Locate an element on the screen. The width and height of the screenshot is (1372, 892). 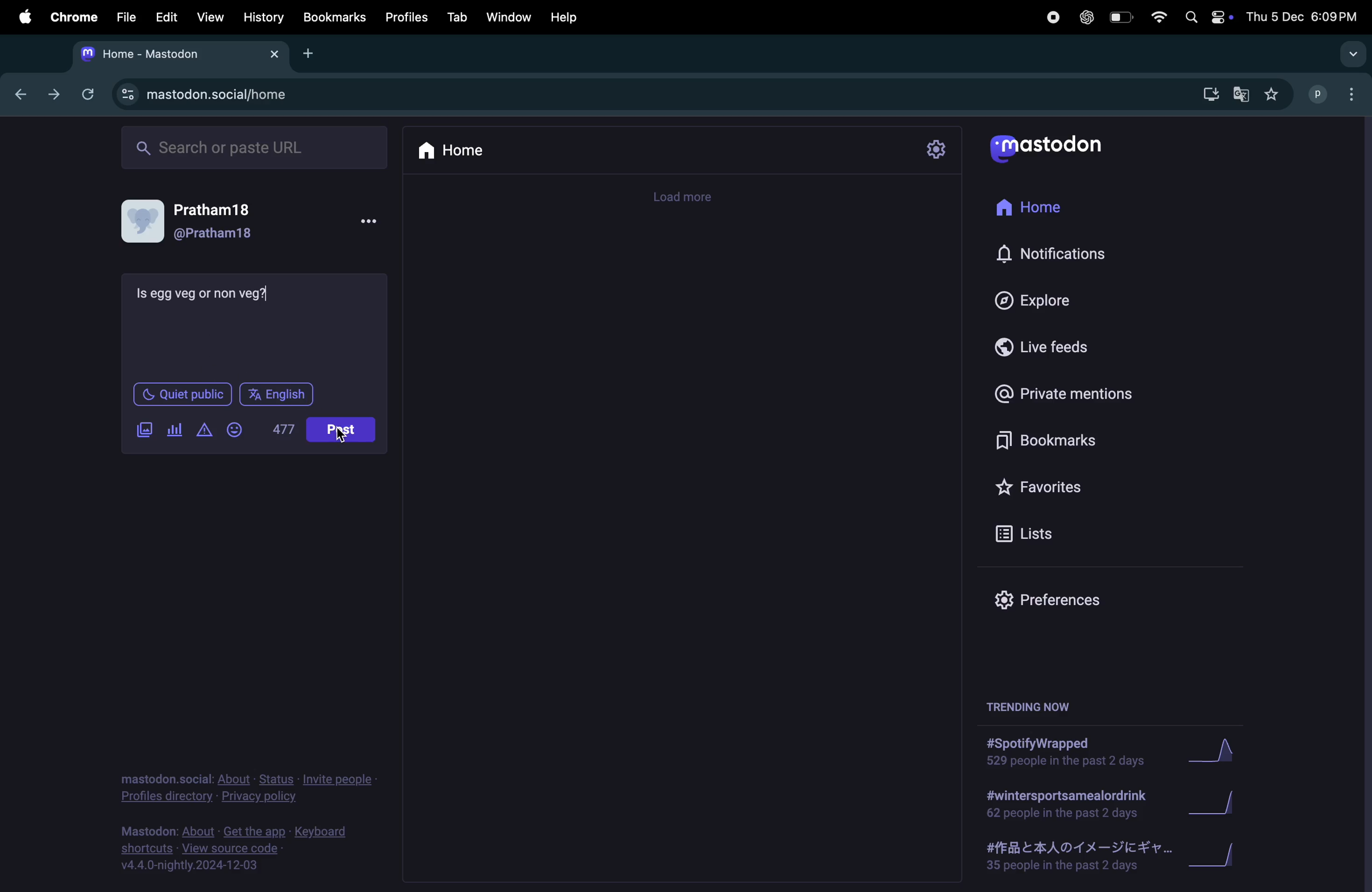
Bookmarks is located at coordinates (334, 17).